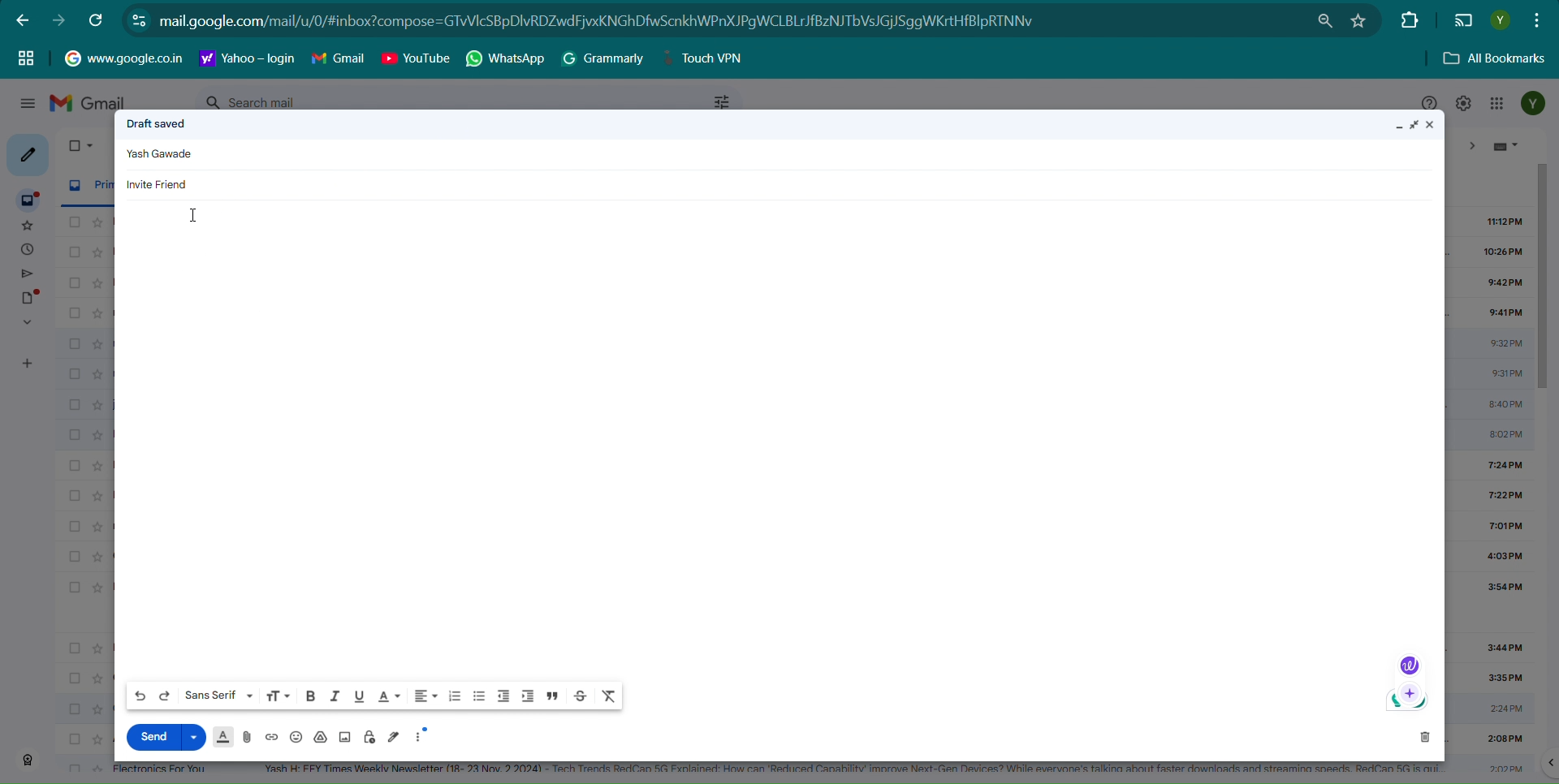 Image resolution: width=1559 pixels, height=784 pixels. Describe the element at coordinates (553, 696) in the screenshot. I see `Quote` at that location.